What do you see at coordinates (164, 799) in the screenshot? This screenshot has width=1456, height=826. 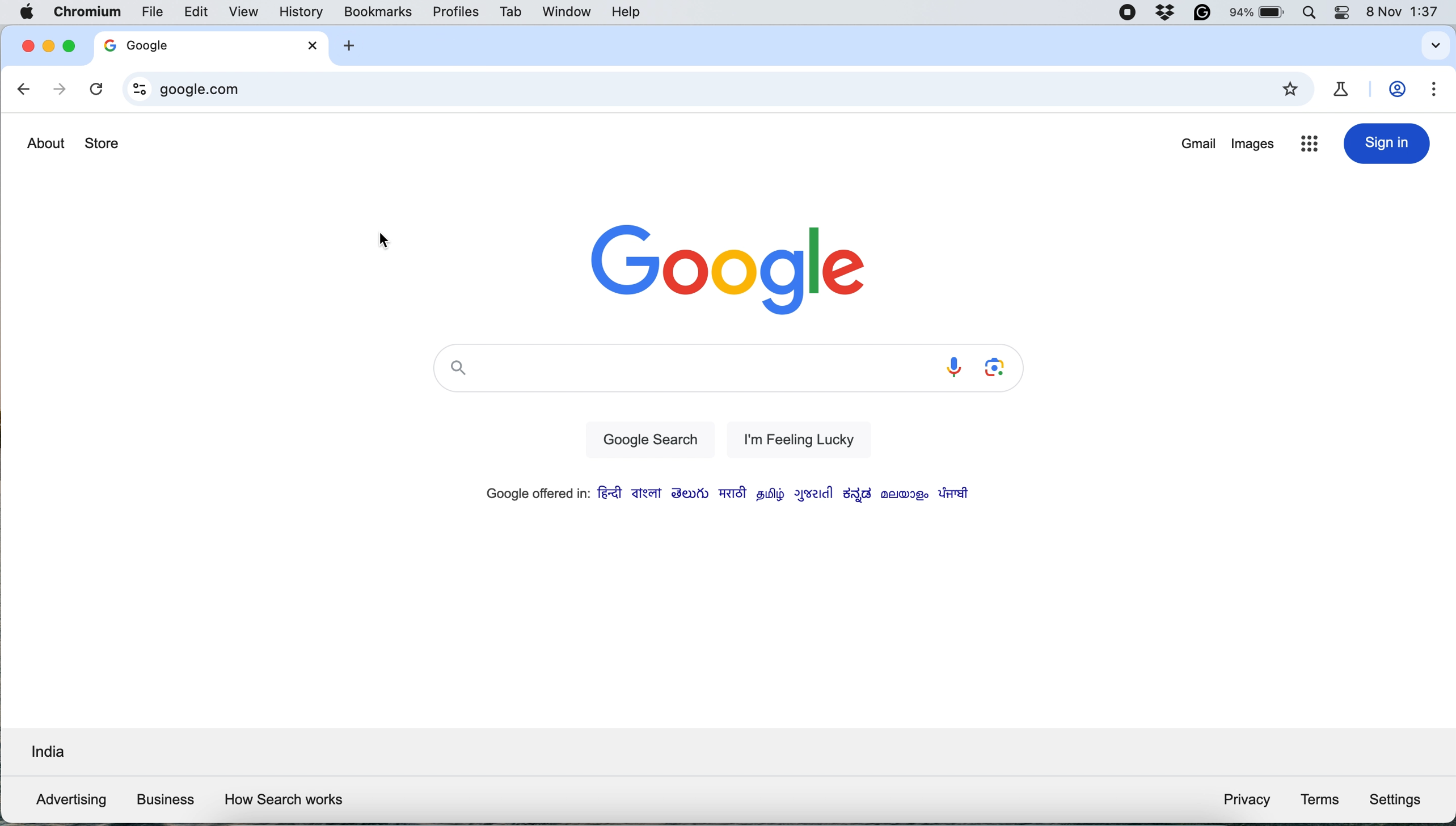 I see `business` at bounding box center [164, 799].